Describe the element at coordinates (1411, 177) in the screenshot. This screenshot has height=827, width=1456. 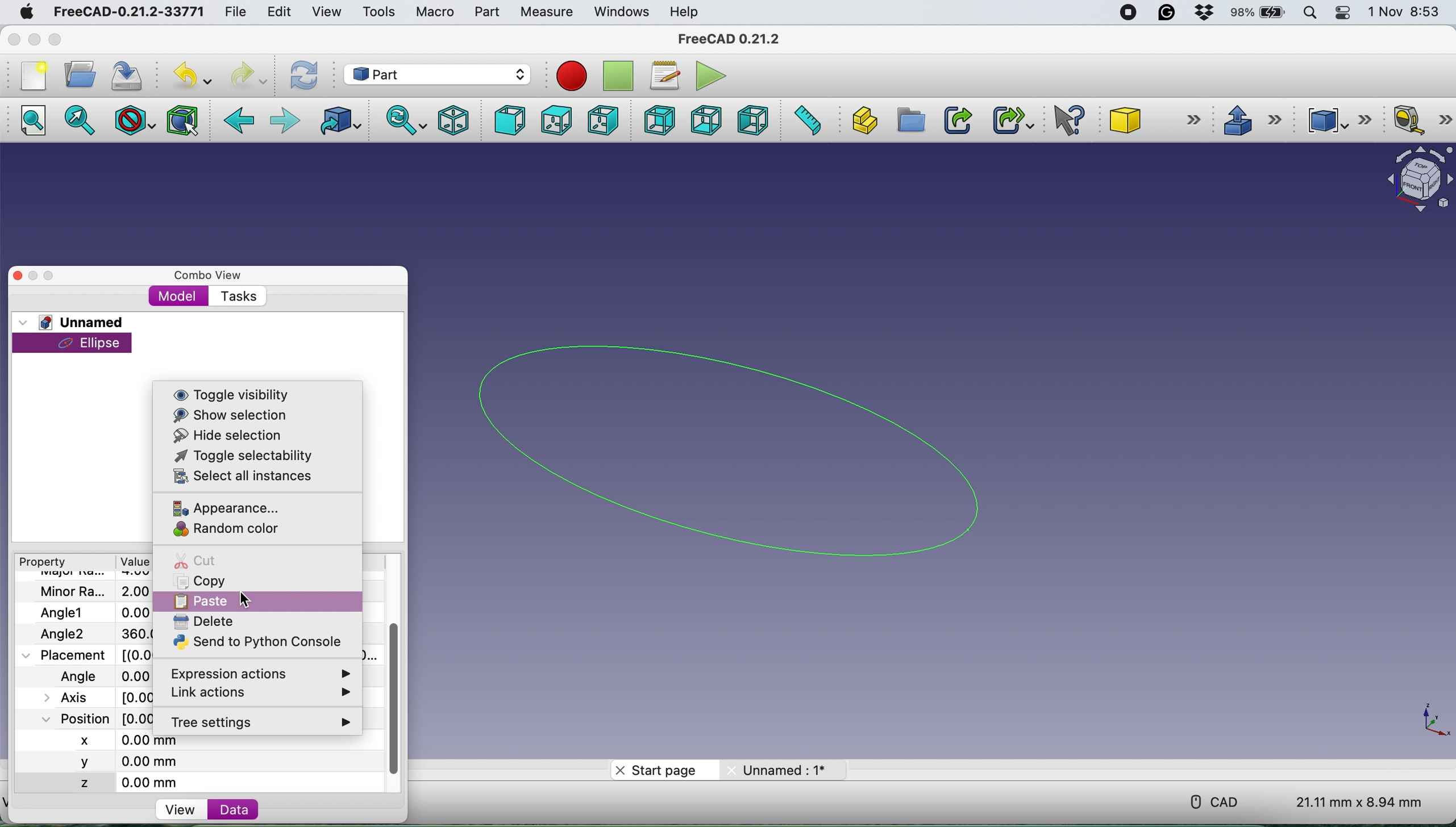
I see `object interface` at that location.